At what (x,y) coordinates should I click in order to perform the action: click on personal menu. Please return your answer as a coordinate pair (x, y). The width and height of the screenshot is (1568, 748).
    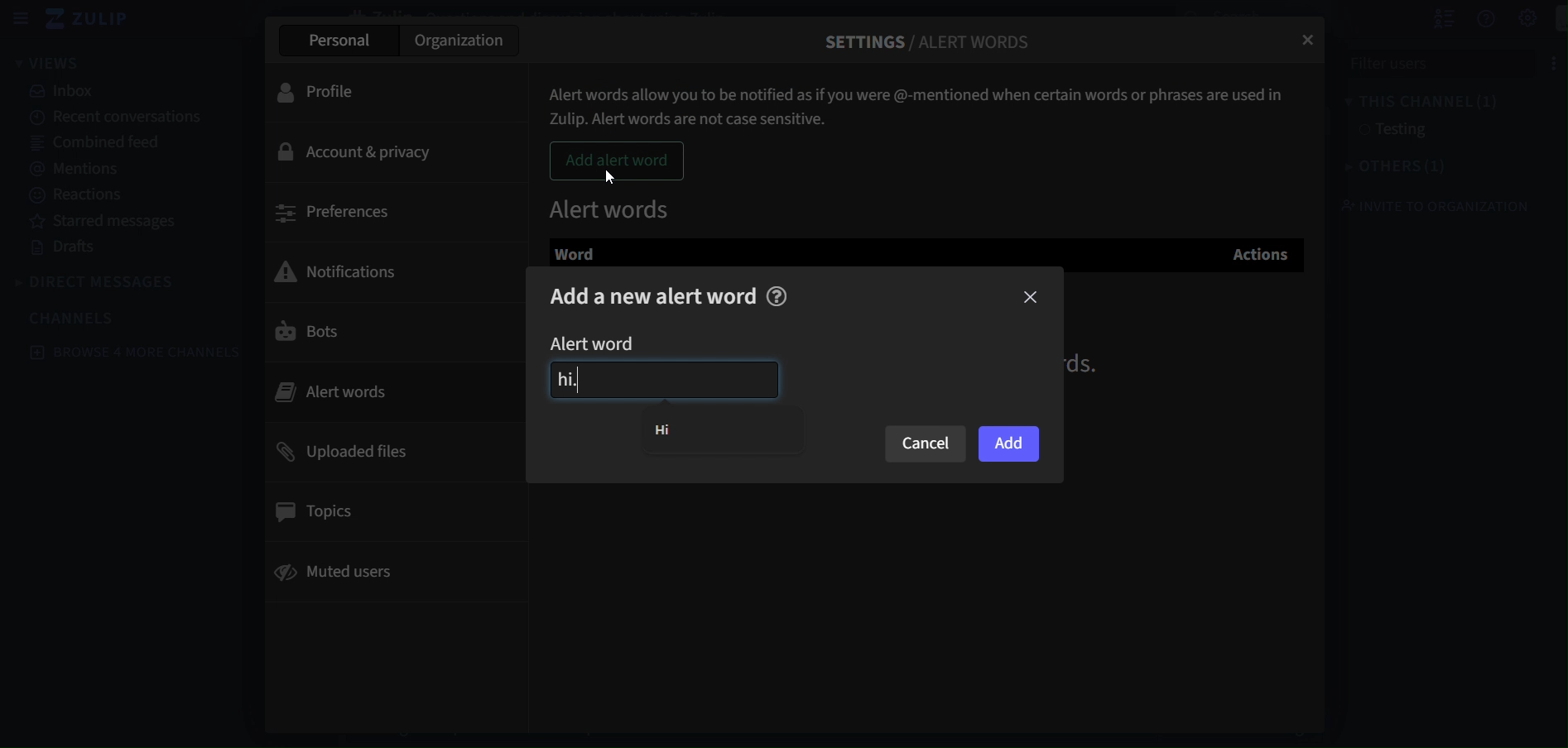
    Looking at the image, I should click on (1551, 18).